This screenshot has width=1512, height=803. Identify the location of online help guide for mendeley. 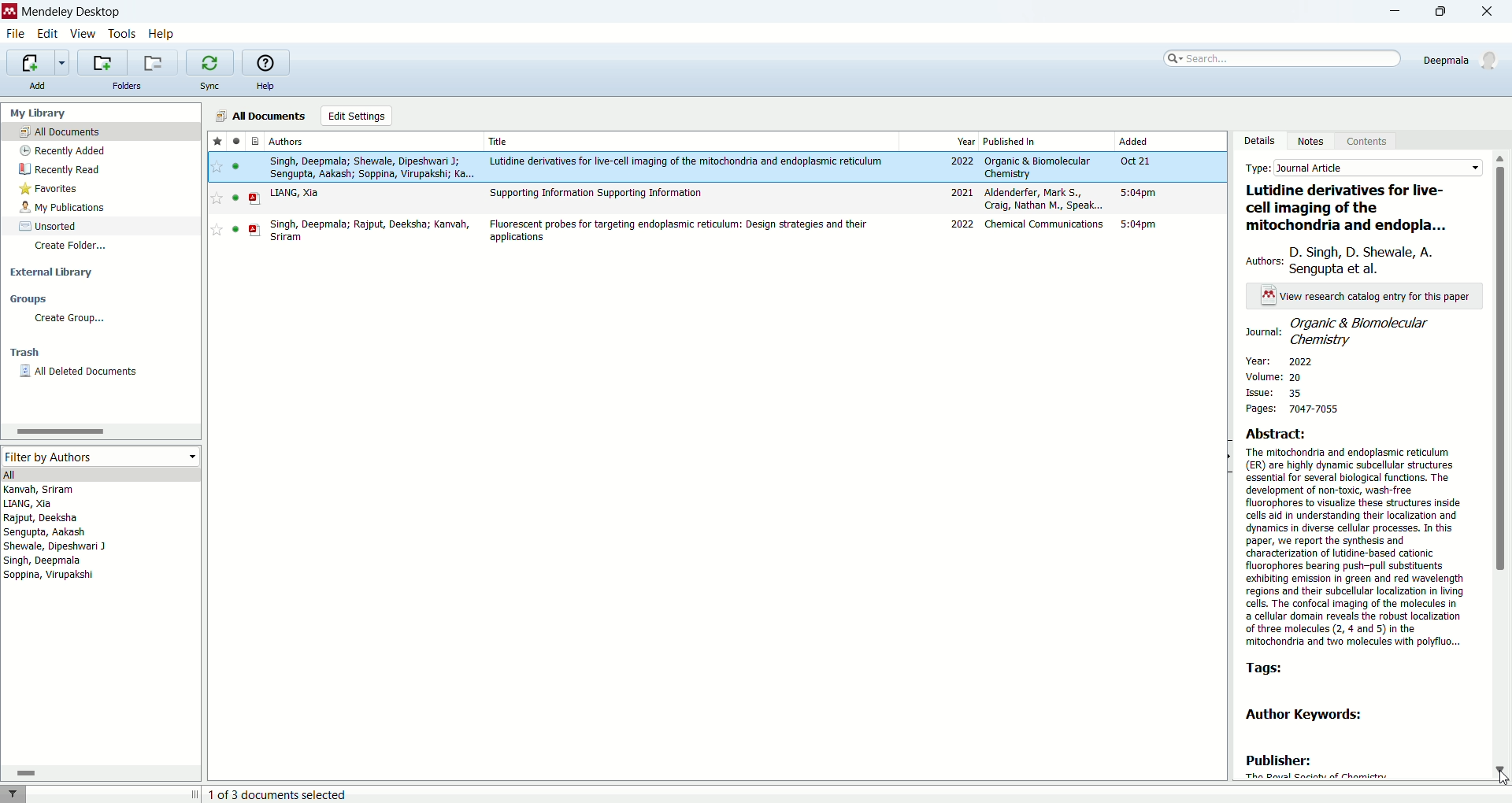
(264, 61).